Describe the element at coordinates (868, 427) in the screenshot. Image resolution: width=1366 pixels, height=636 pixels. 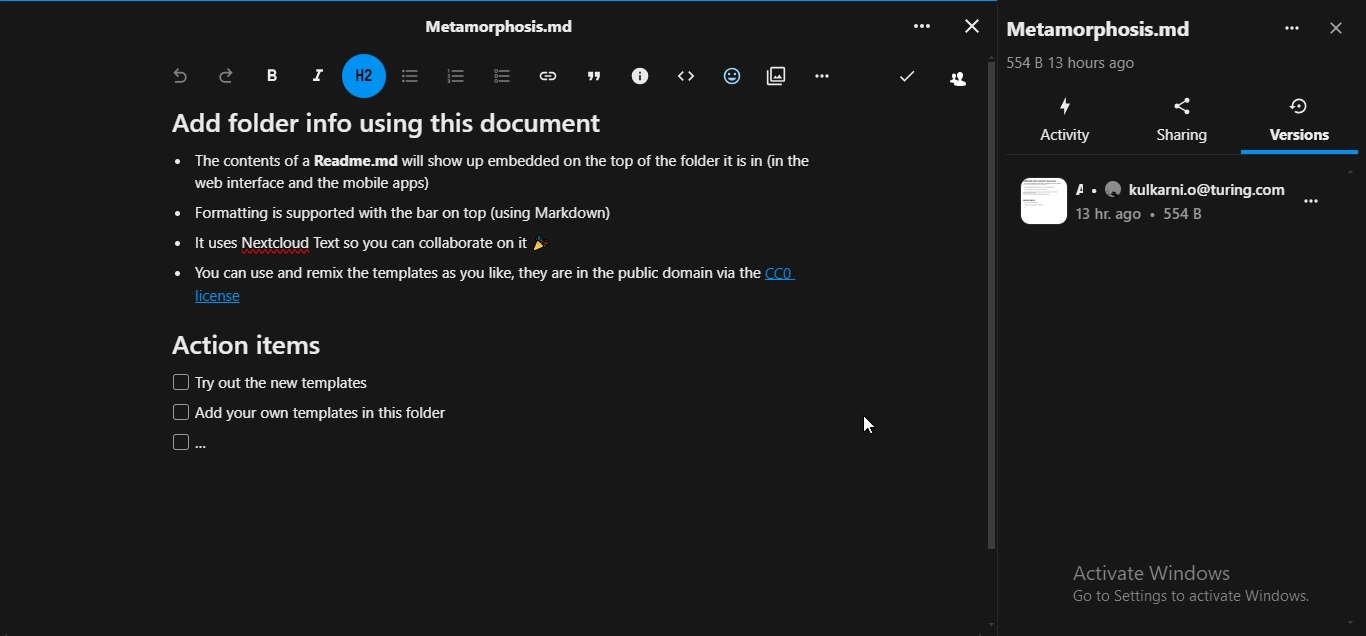
I see `Cursor` at that location.